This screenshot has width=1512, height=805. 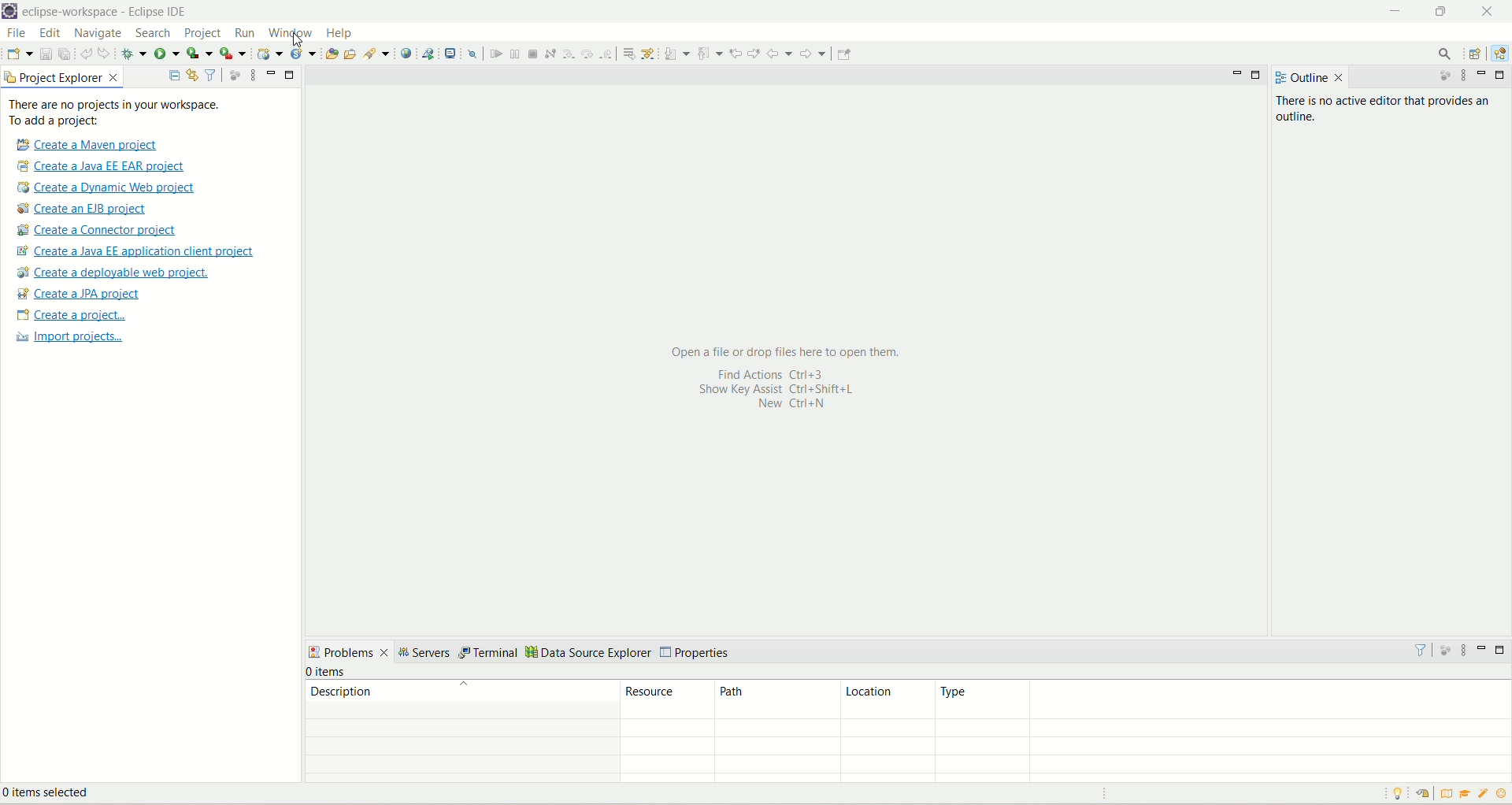 What do you see at coordinates (57, 795) in the screenshot?
I see `0 items selected` at bounding box center [57, 795].